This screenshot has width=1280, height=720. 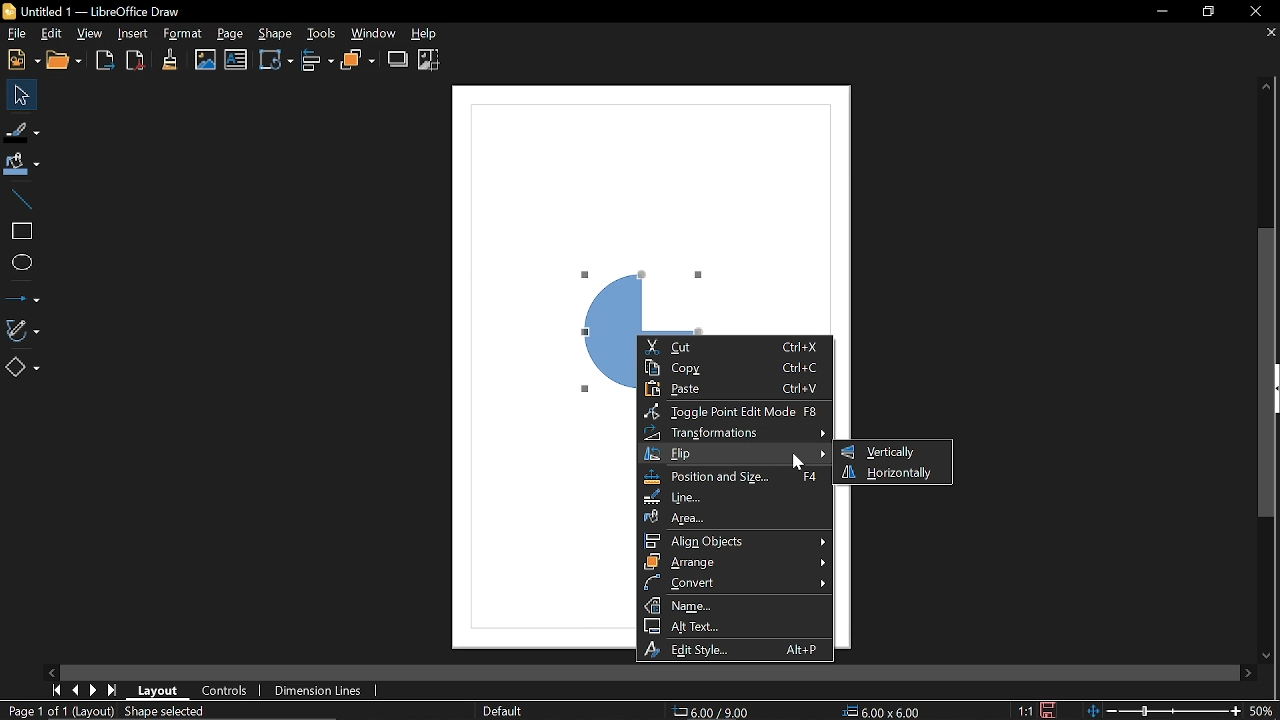 What do you see at coordinates (733, 518) in the screenshot?
I see `Area` at bounding box center [733, 518].